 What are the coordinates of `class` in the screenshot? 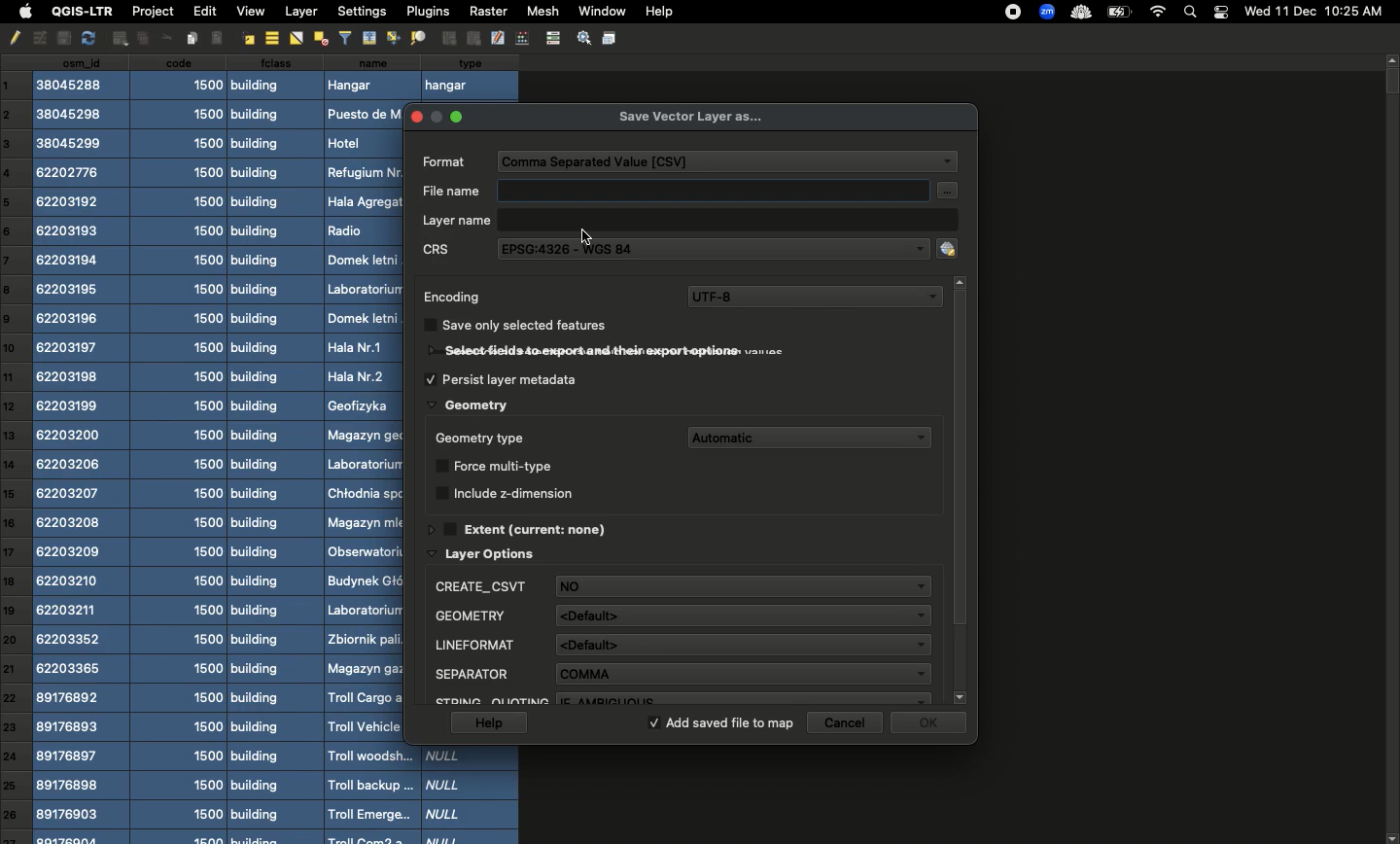 It's located at (274, 448).